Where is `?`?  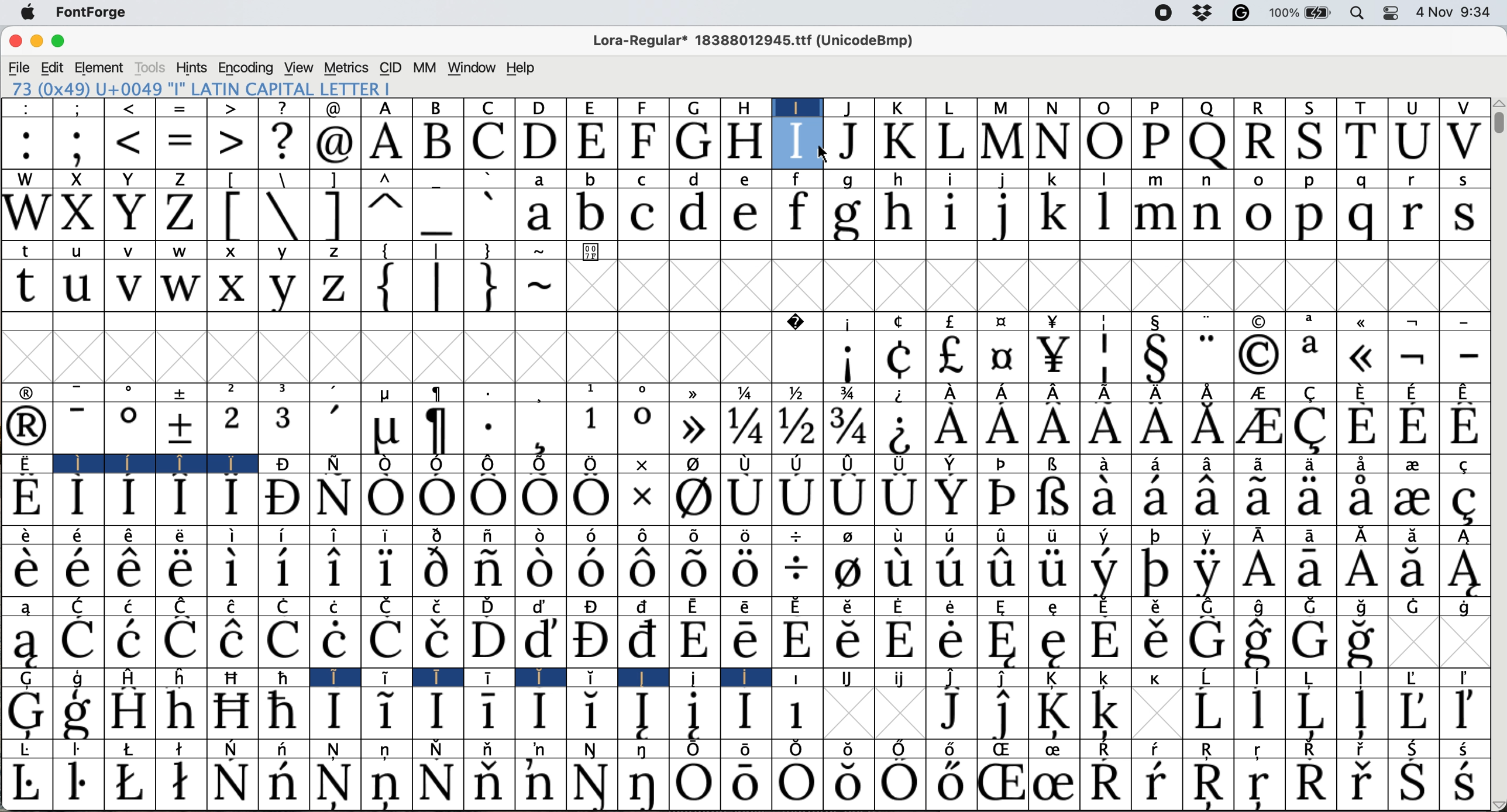
? is located at coordinates (282, 107).